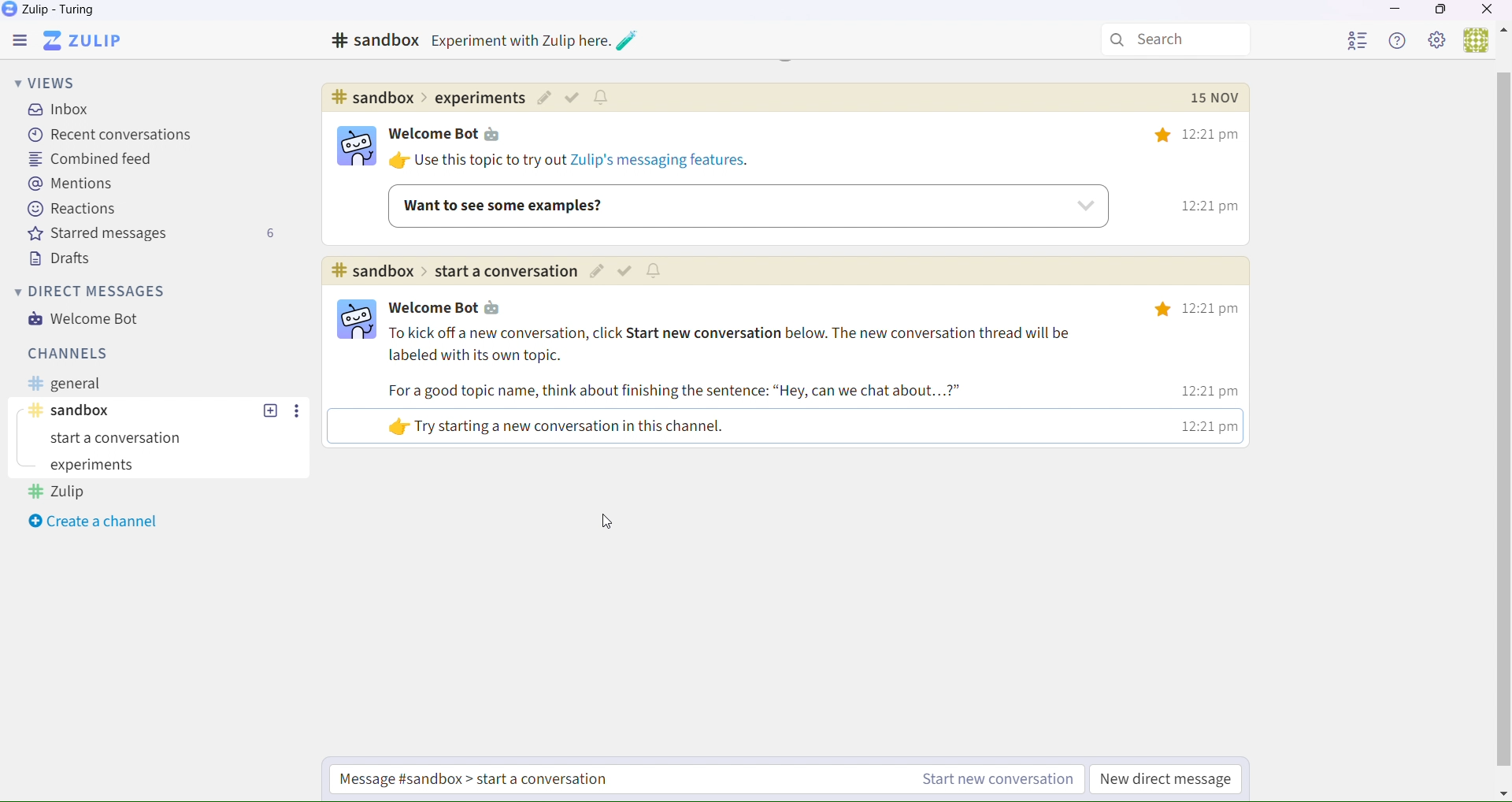 The height and width of the screenshot is (802, 1512). Describe the element at coordinates (130, 411) in the screenshot. I see `Sanbox` at that location.